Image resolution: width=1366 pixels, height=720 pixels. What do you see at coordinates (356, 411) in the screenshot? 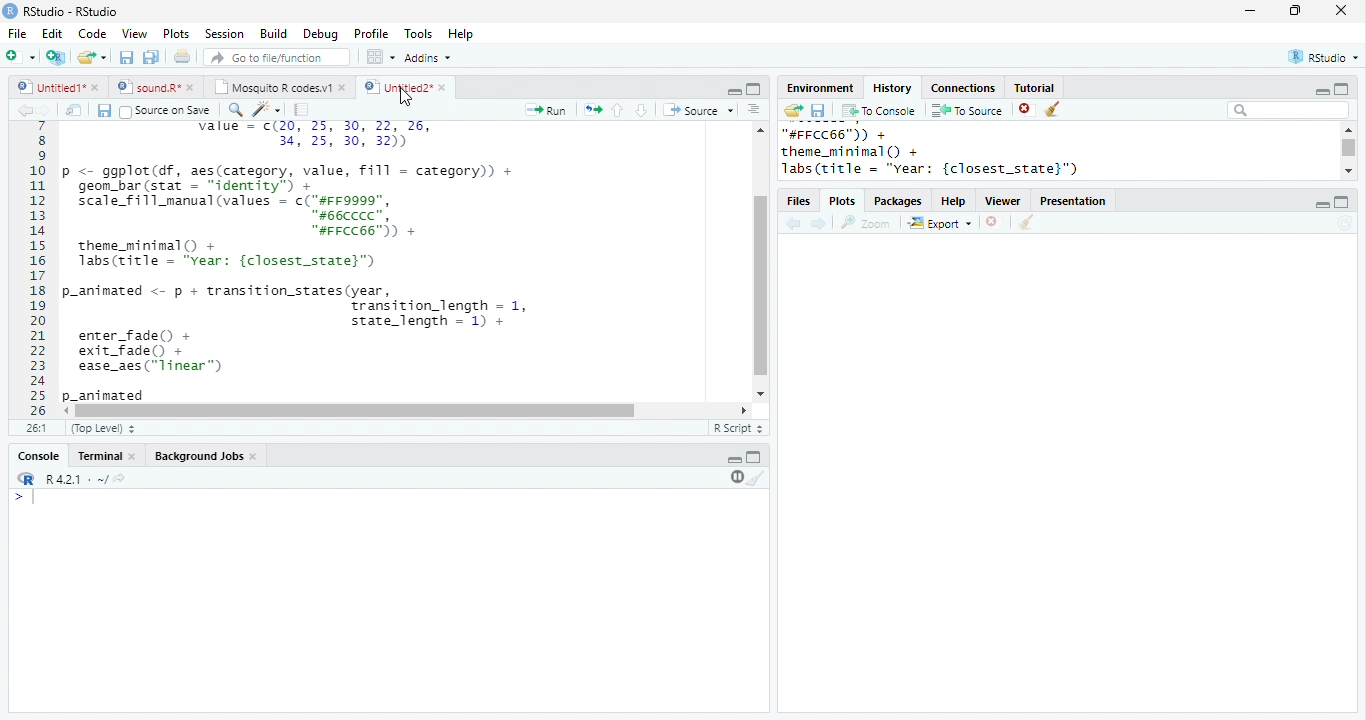
I see `scroll bar` at bounding box center [356, 411].